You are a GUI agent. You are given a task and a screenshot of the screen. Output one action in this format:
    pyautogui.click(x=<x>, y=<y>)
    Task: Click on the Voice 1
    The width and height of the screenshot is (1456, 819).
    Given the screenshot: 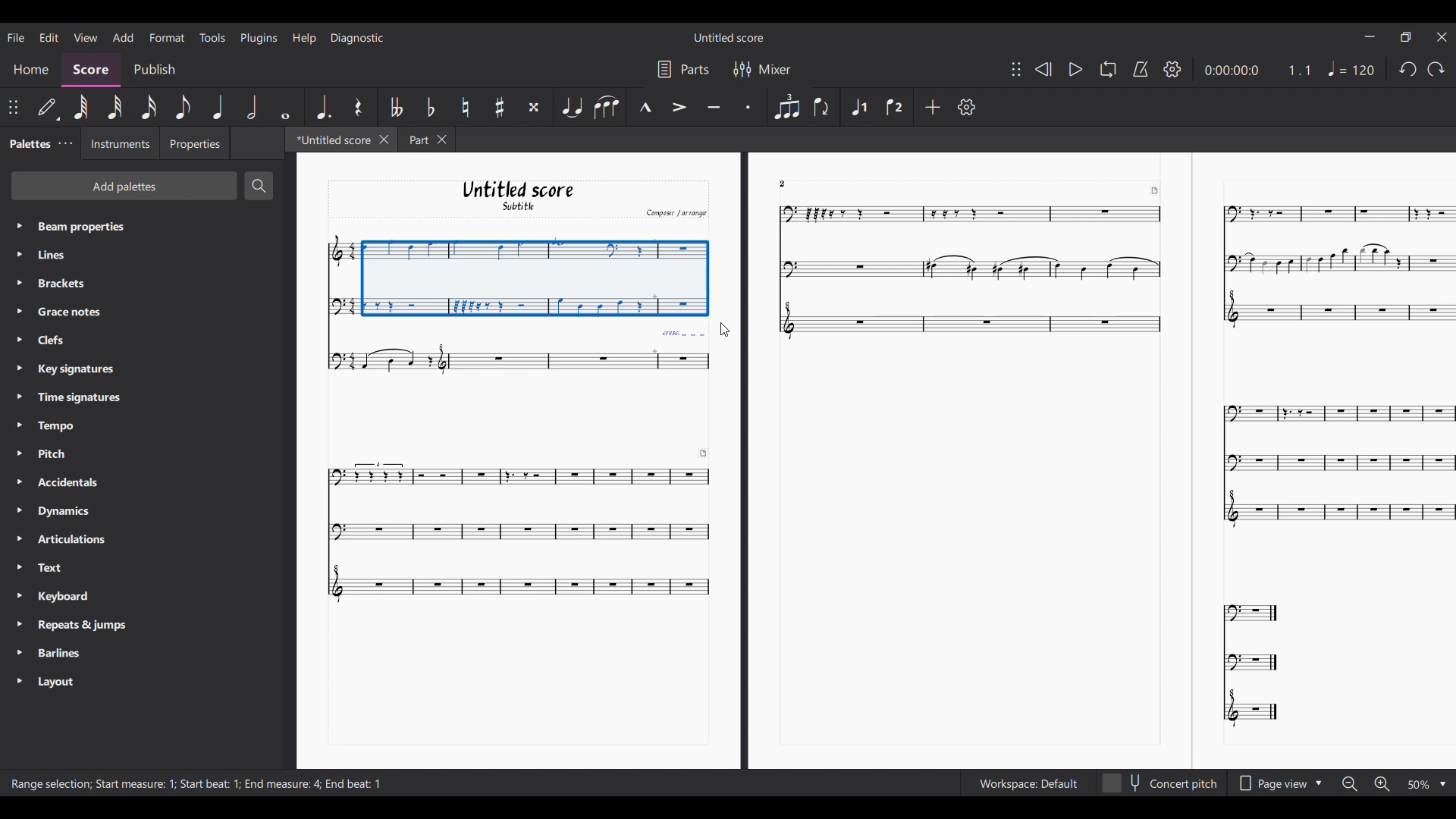 What is the action you would take?
    pyautogui.click(x=859, y=105)
    